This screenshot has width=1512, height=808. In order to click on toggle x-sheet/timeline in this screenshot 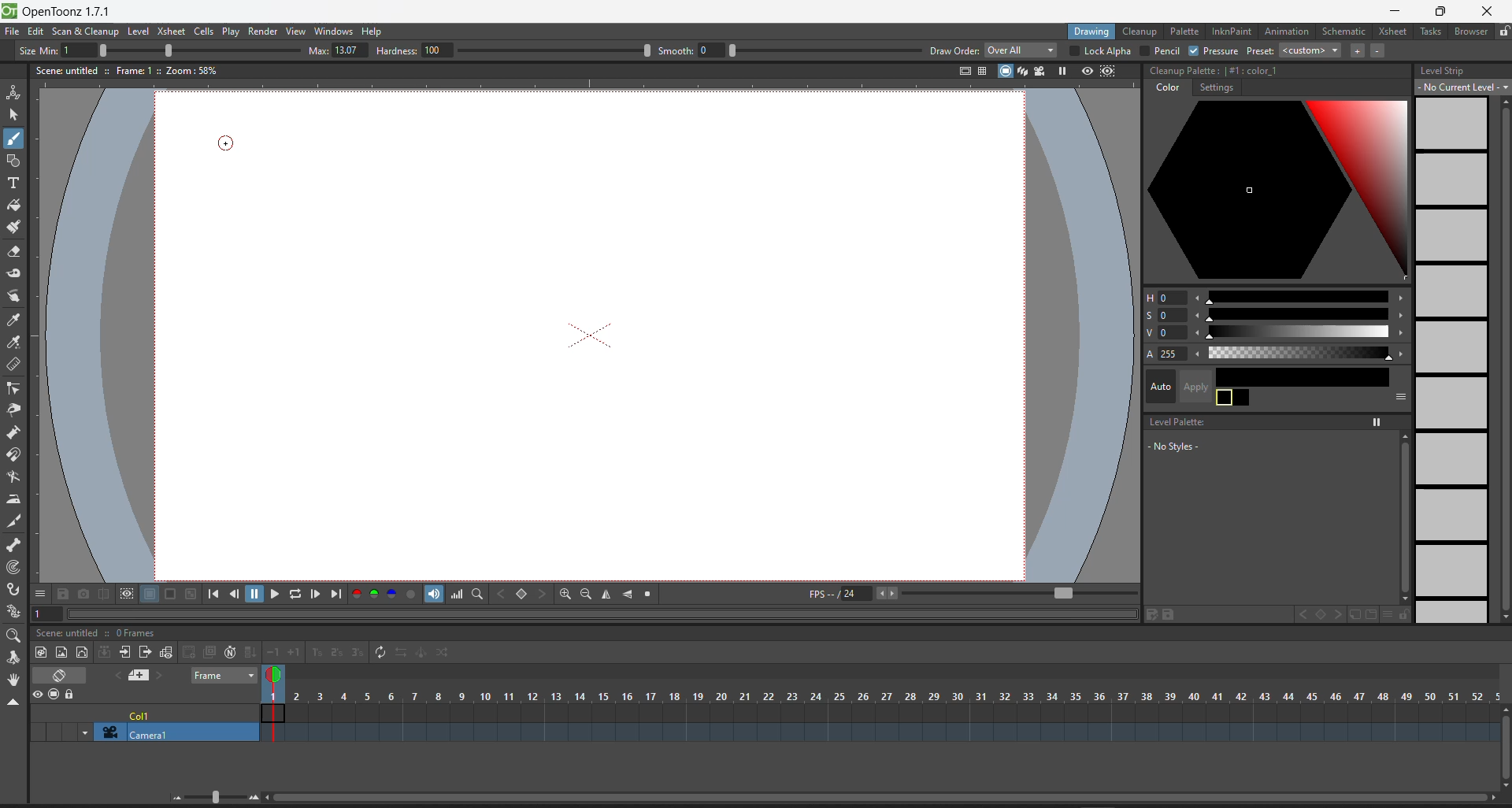, I will do `click(61, 674)`.